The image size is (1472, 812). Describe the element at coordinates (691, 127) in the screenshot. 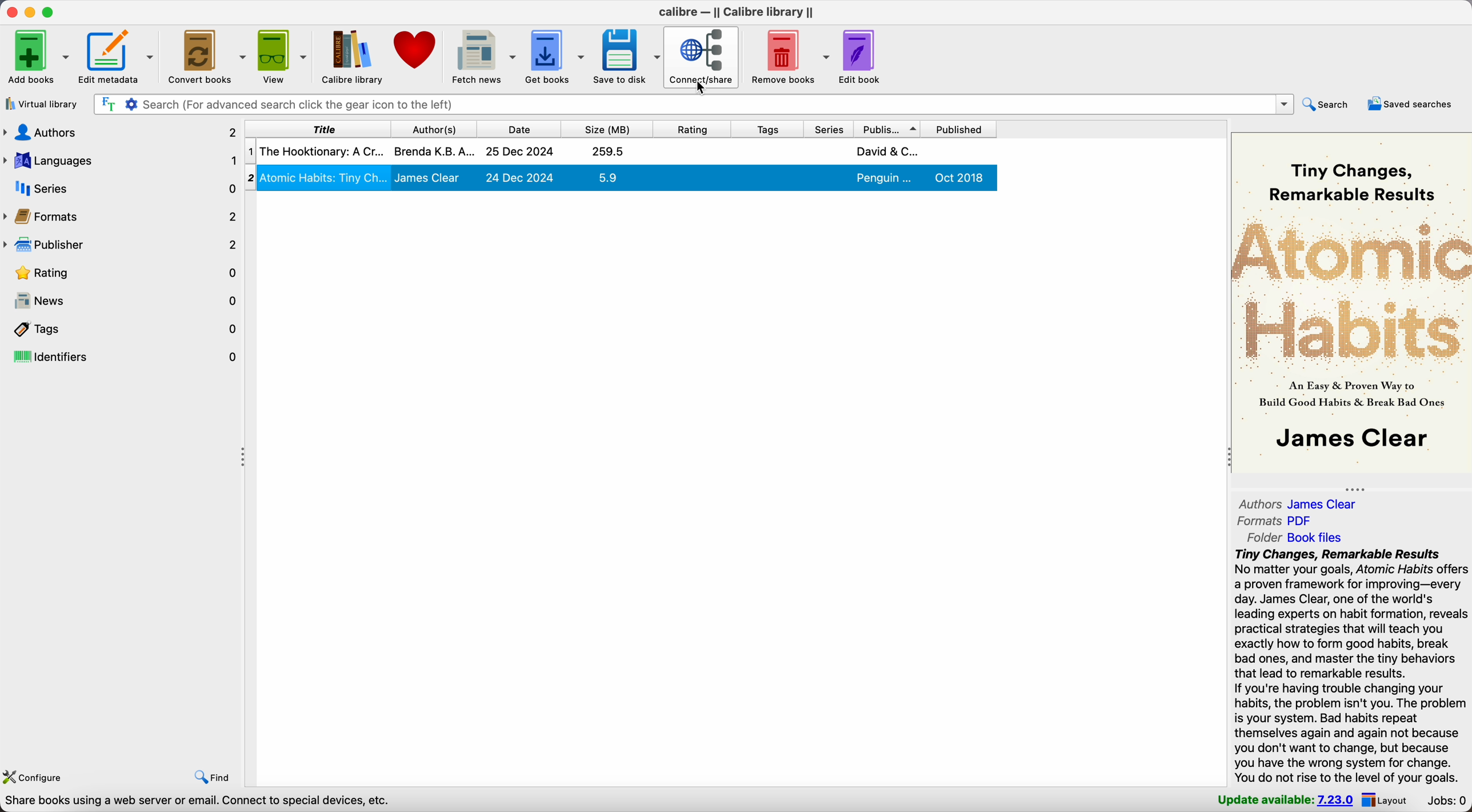

I see `rating` at that location.